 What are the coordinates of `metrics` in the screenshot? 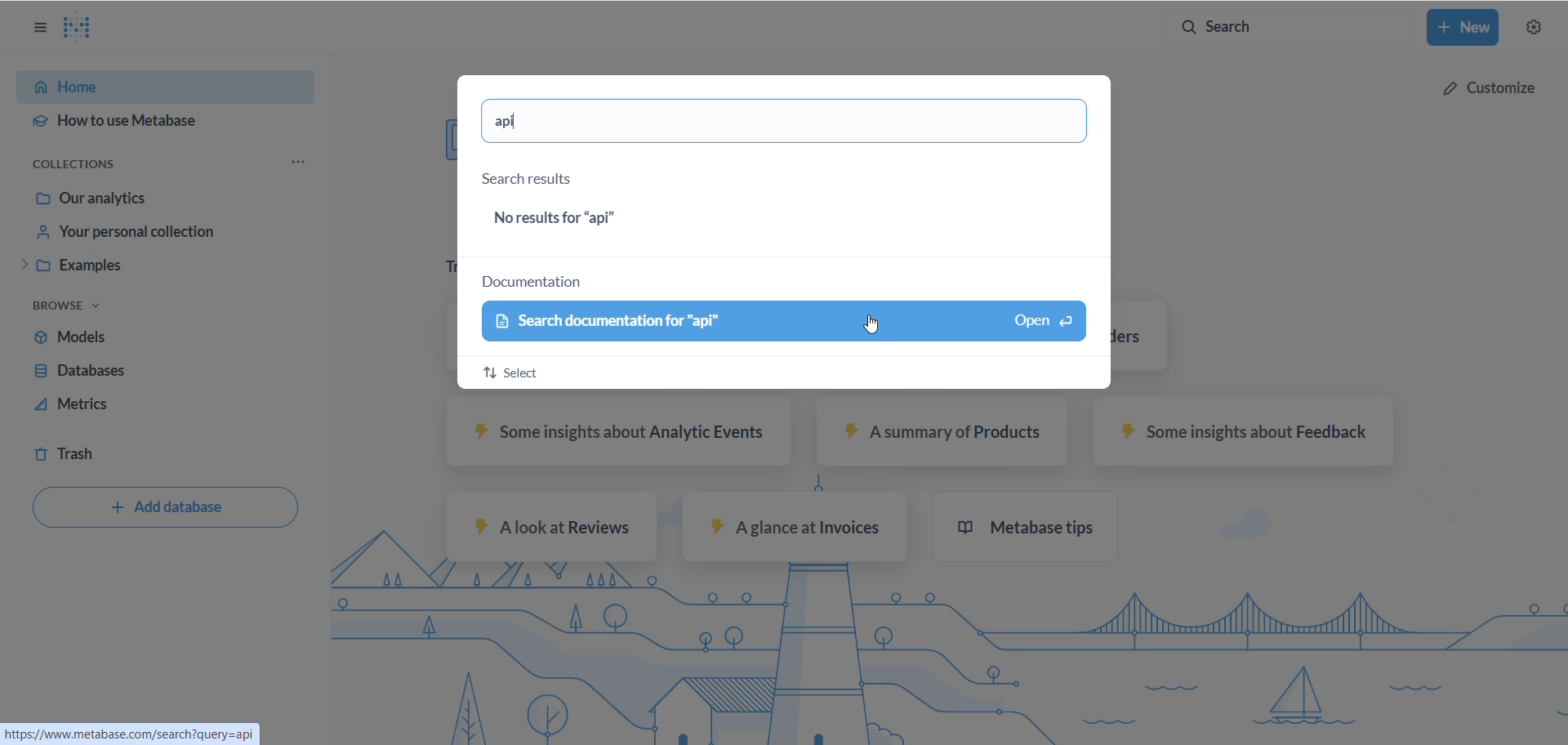 It's located at (101, 406).